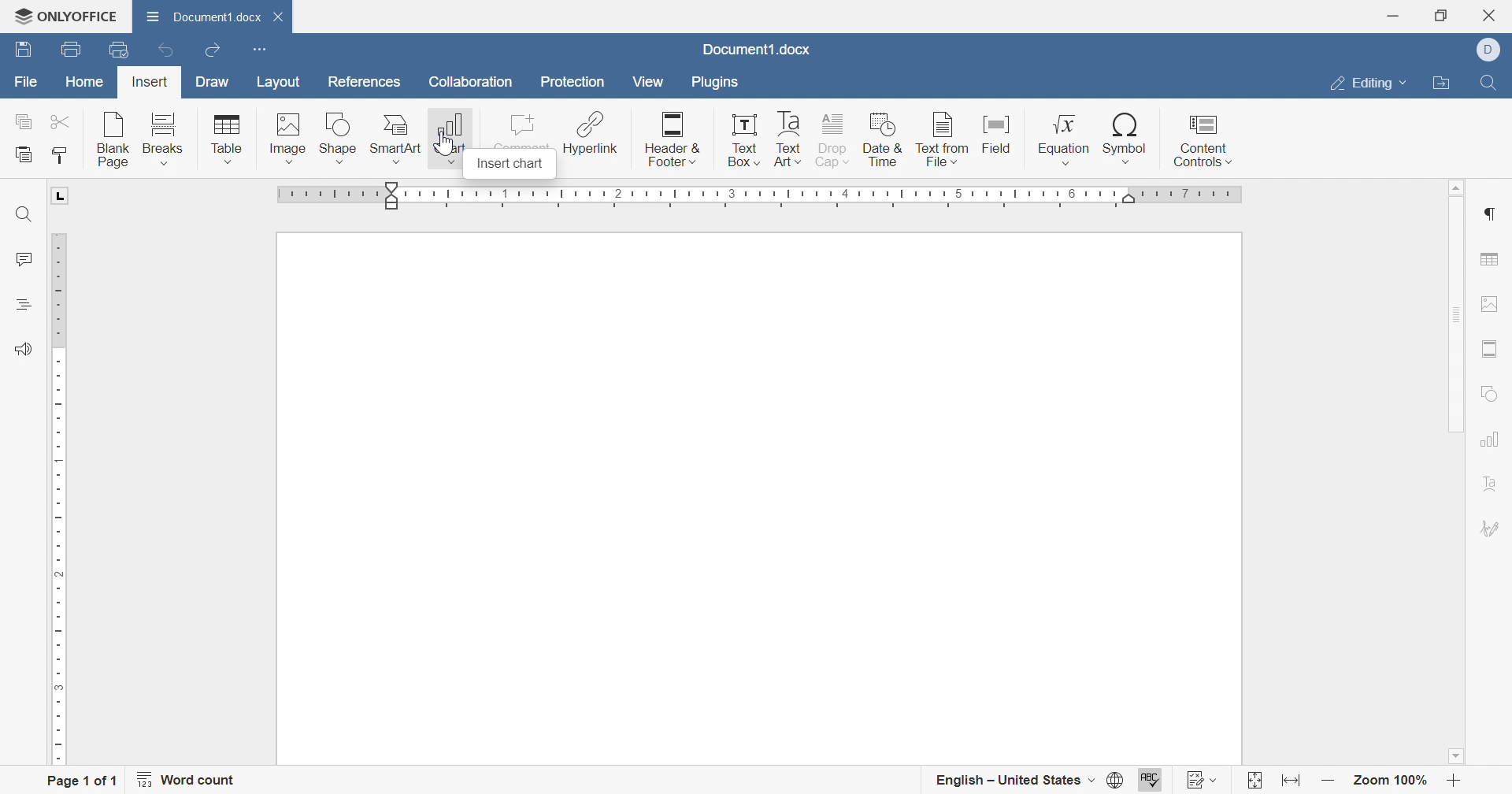 The image size is (1512, 794). I want to click on Symbol, so click(1127, 138).